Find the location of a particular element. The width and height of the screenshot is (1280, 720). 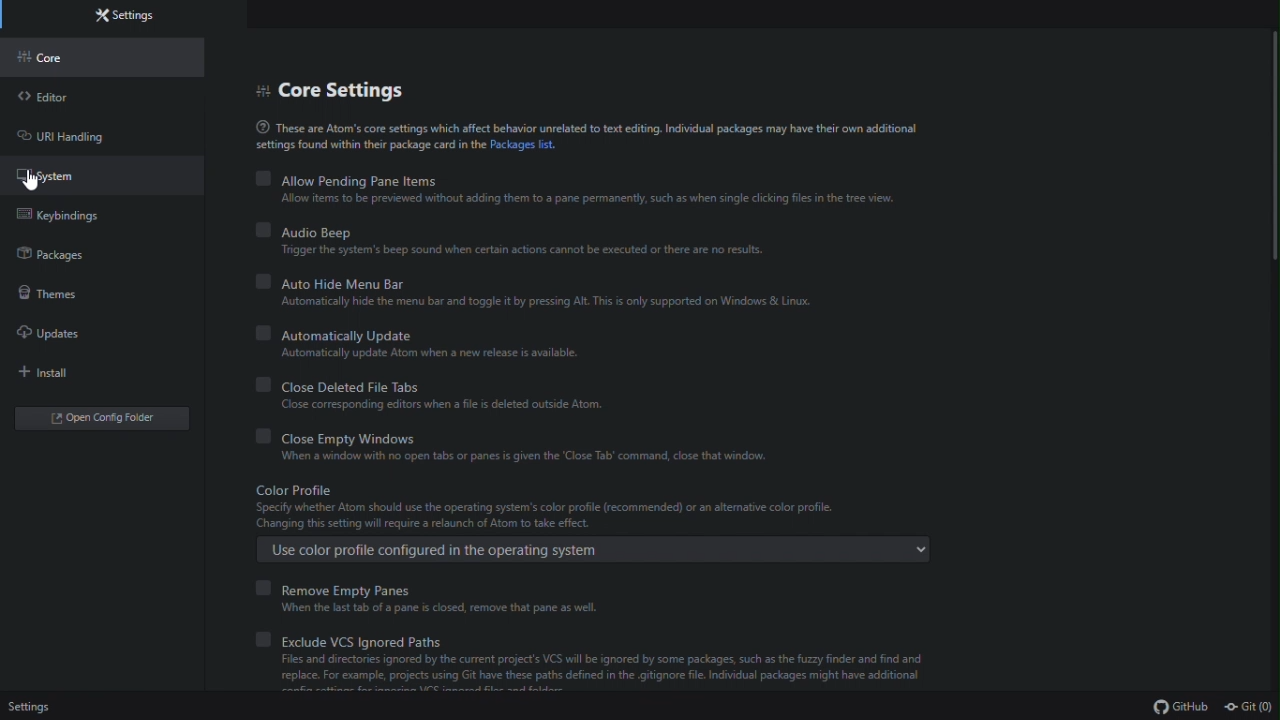

Install  is located at coordinates (59, 376).